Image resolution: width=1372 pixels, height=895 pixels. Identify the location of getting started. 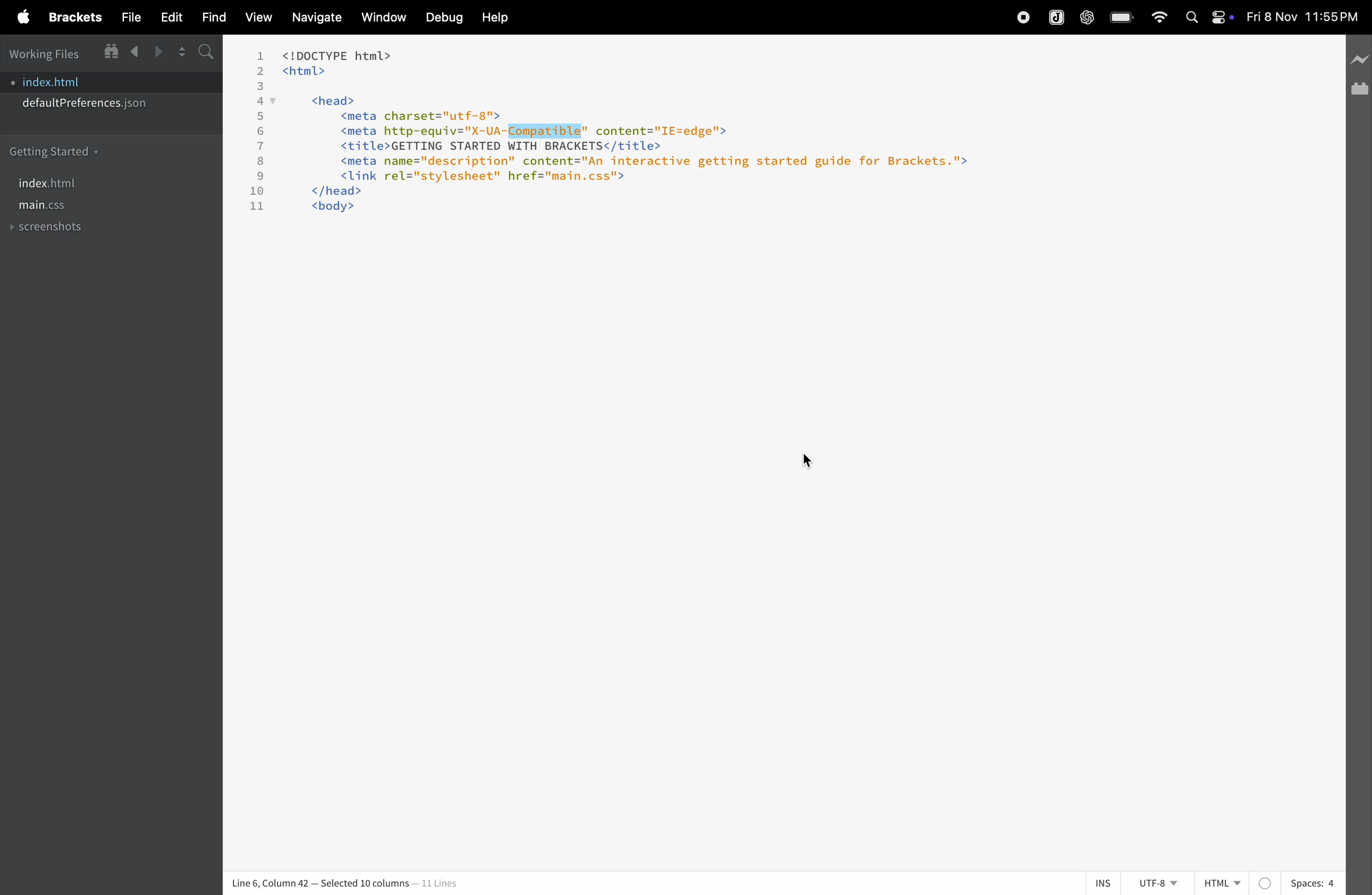
(55, 151).